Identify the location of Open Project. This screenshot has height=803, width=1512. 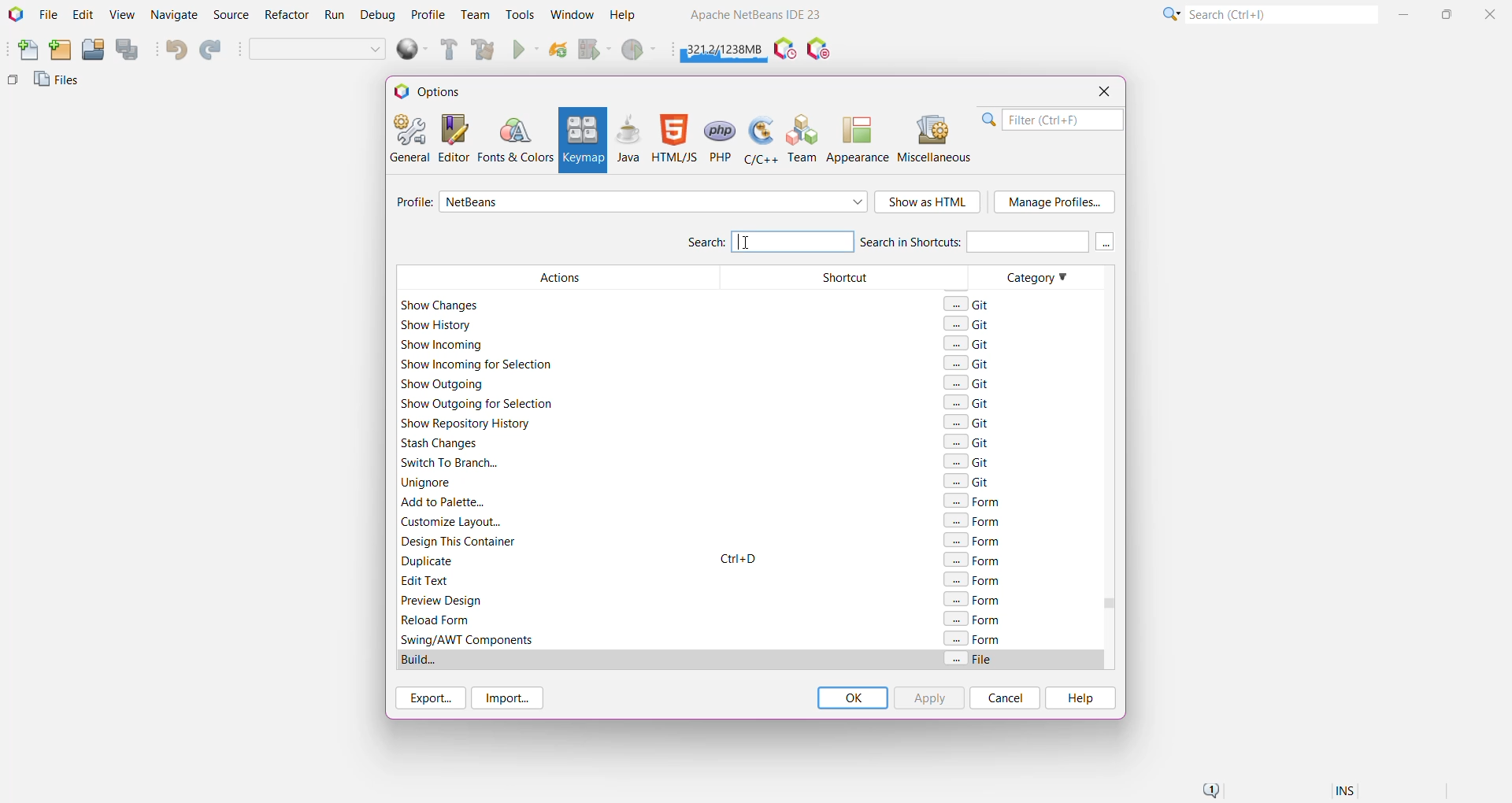
(92, 50).